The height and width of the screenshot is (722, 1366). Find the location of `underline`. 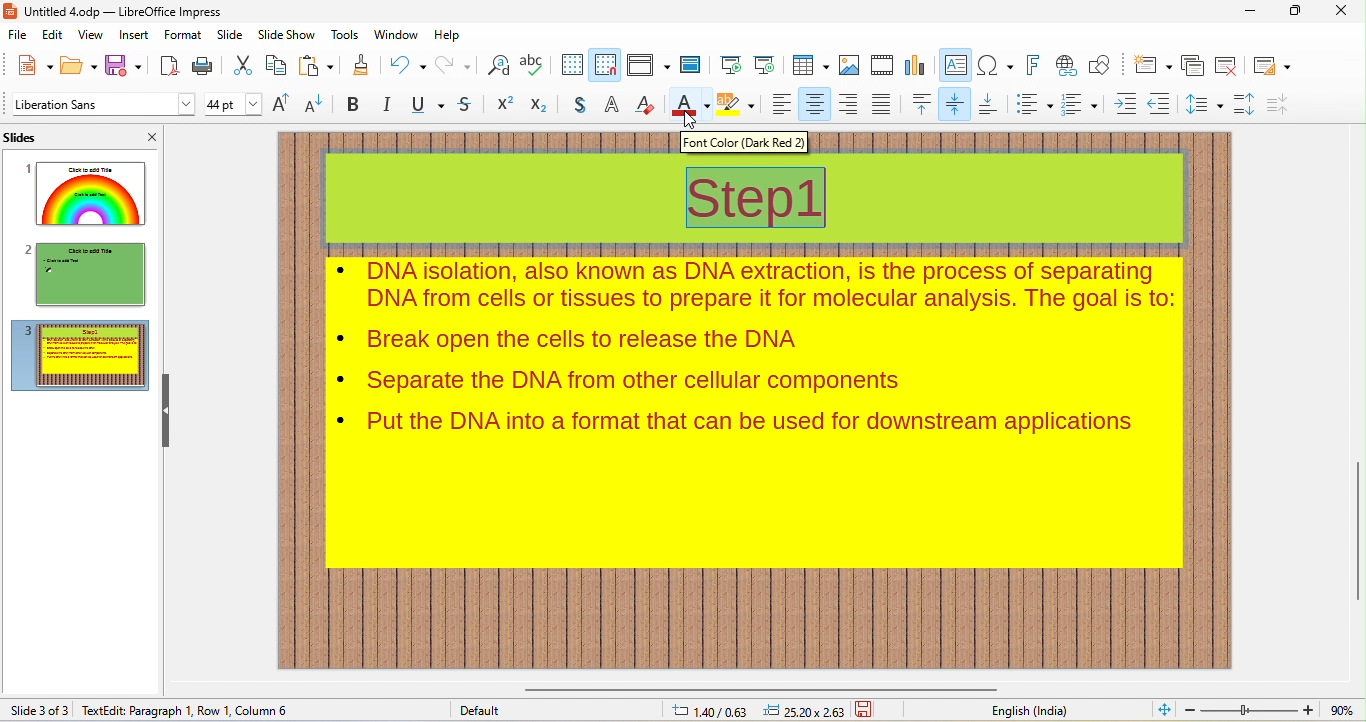

underline is located at coordinates (428, 104).